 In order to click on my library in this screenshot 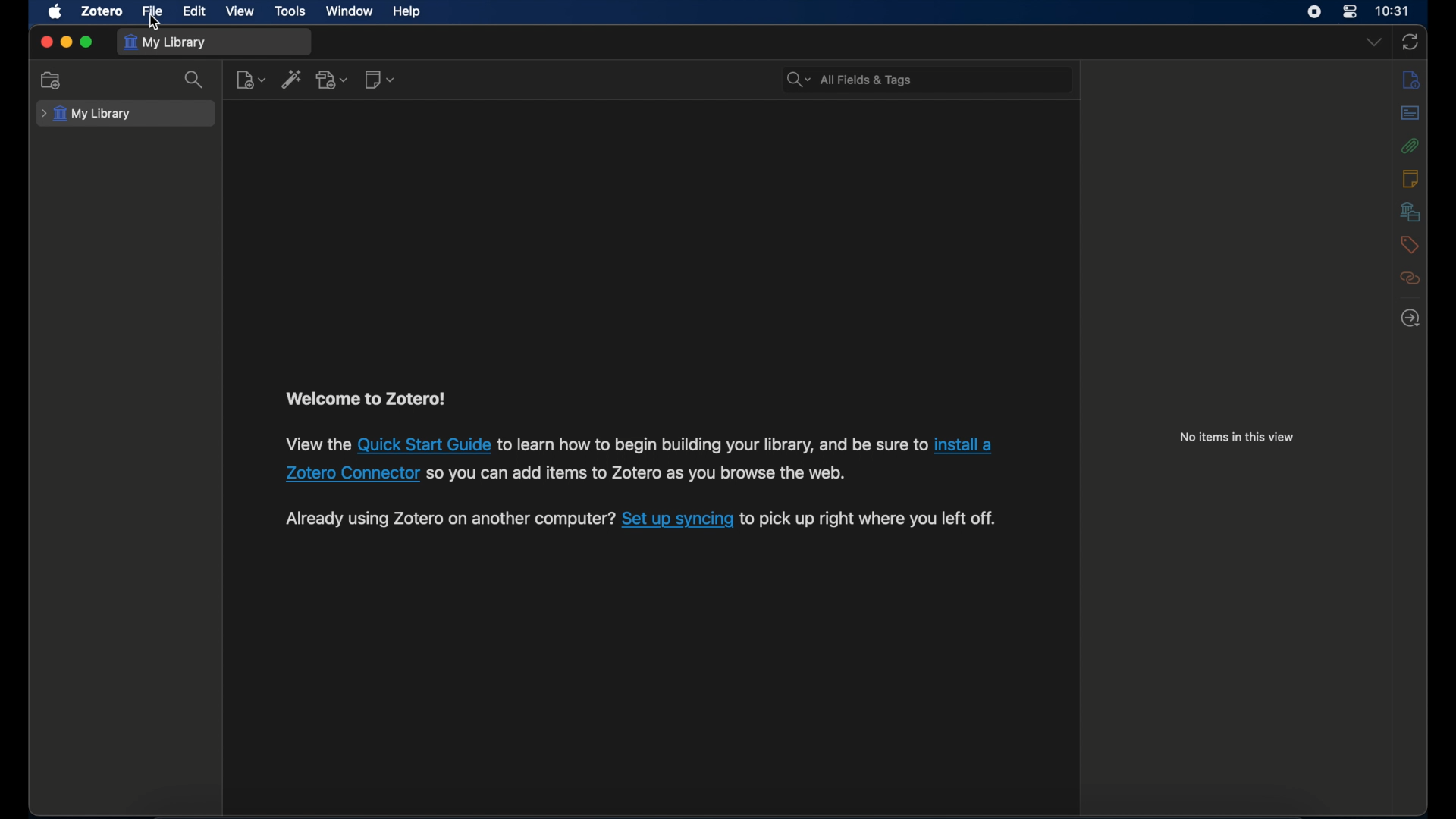, I will do `click(86, 115)`.